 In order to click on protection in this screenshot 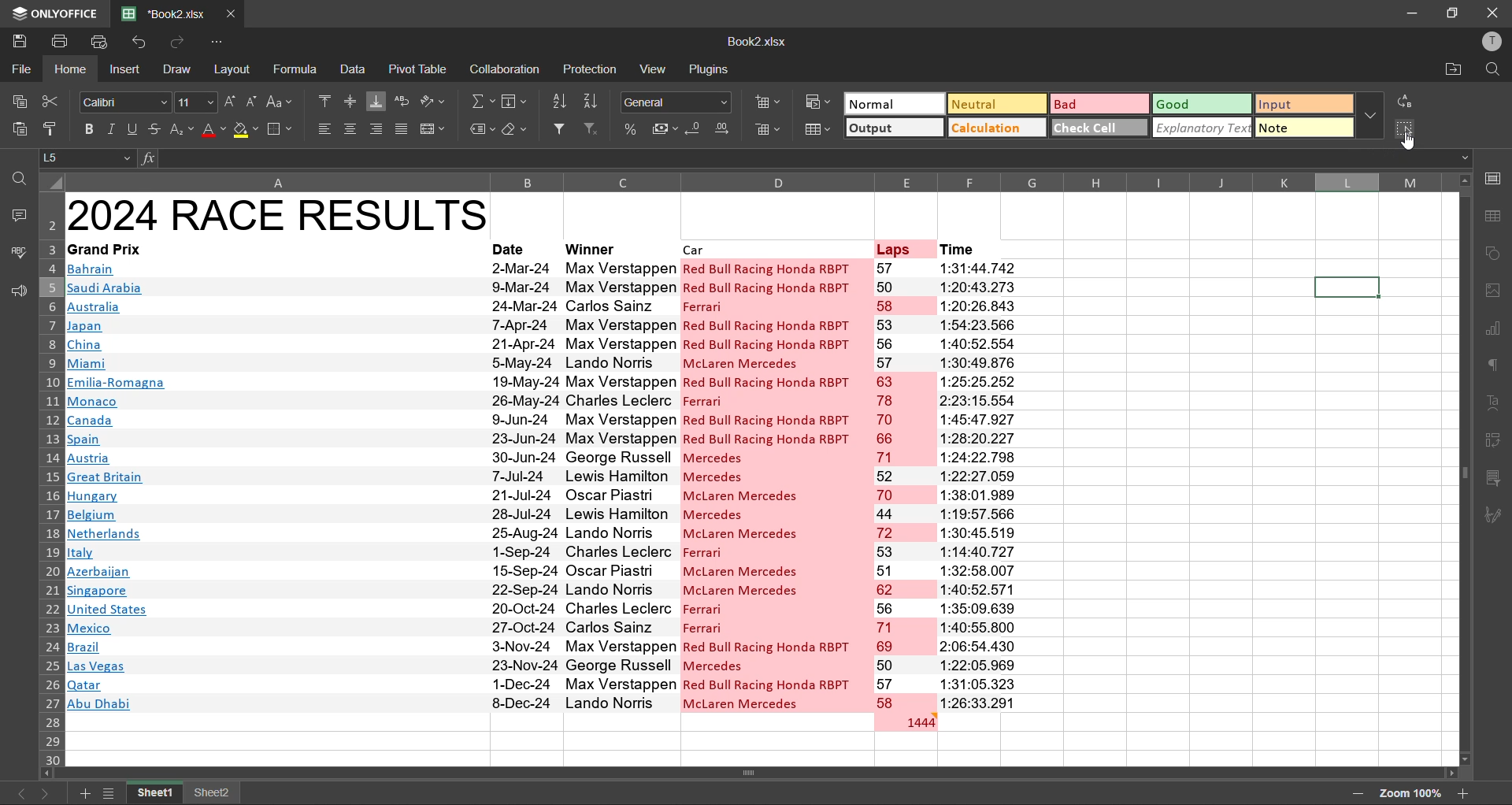, I will do `click(591, 69)`.